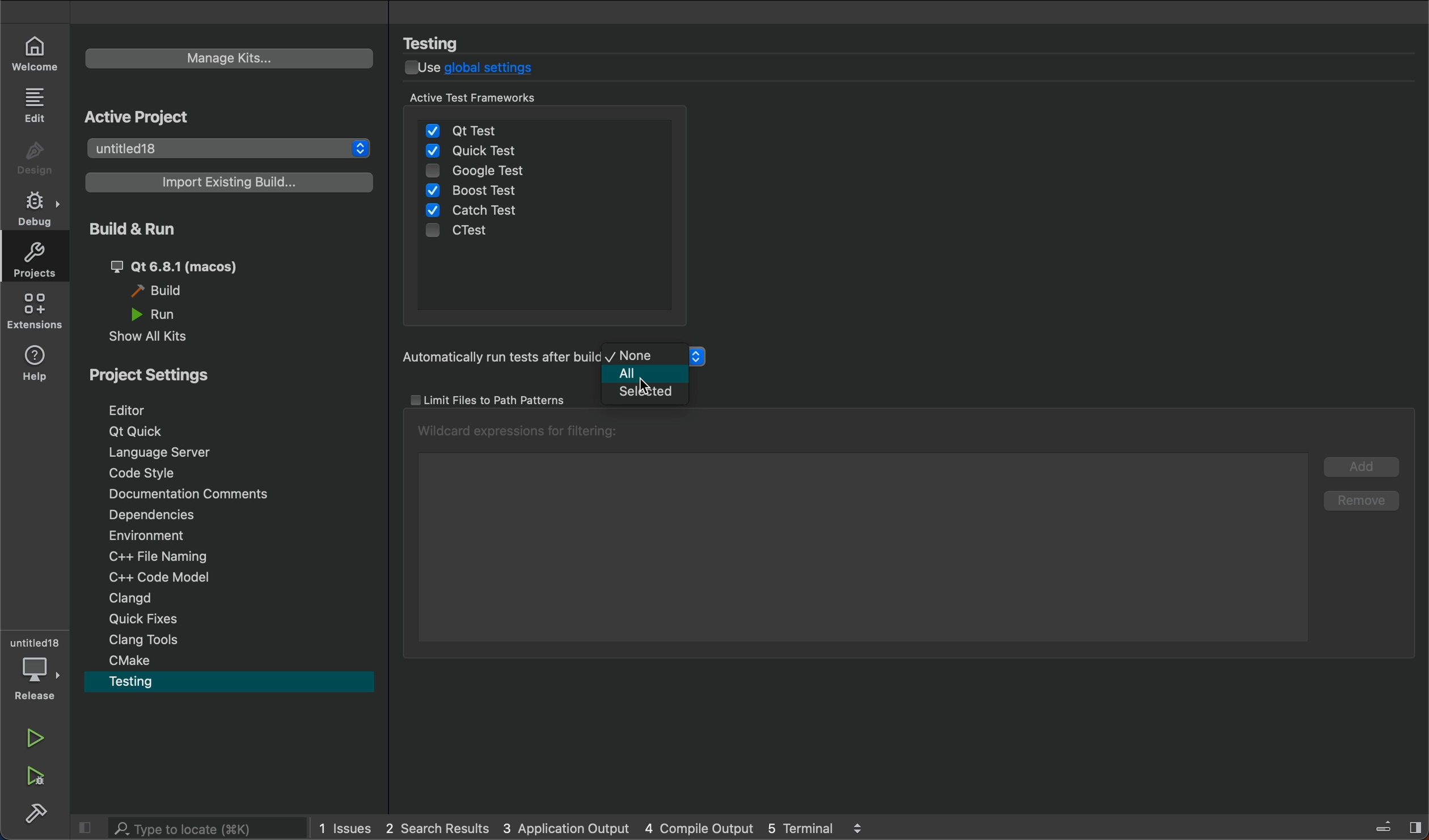 The width and height of the screenshot is (1429, 840). What do you see at coordinates (1387, 824) in the screenshot?
I see `close sidebar` at bounding box center [1387, 824].